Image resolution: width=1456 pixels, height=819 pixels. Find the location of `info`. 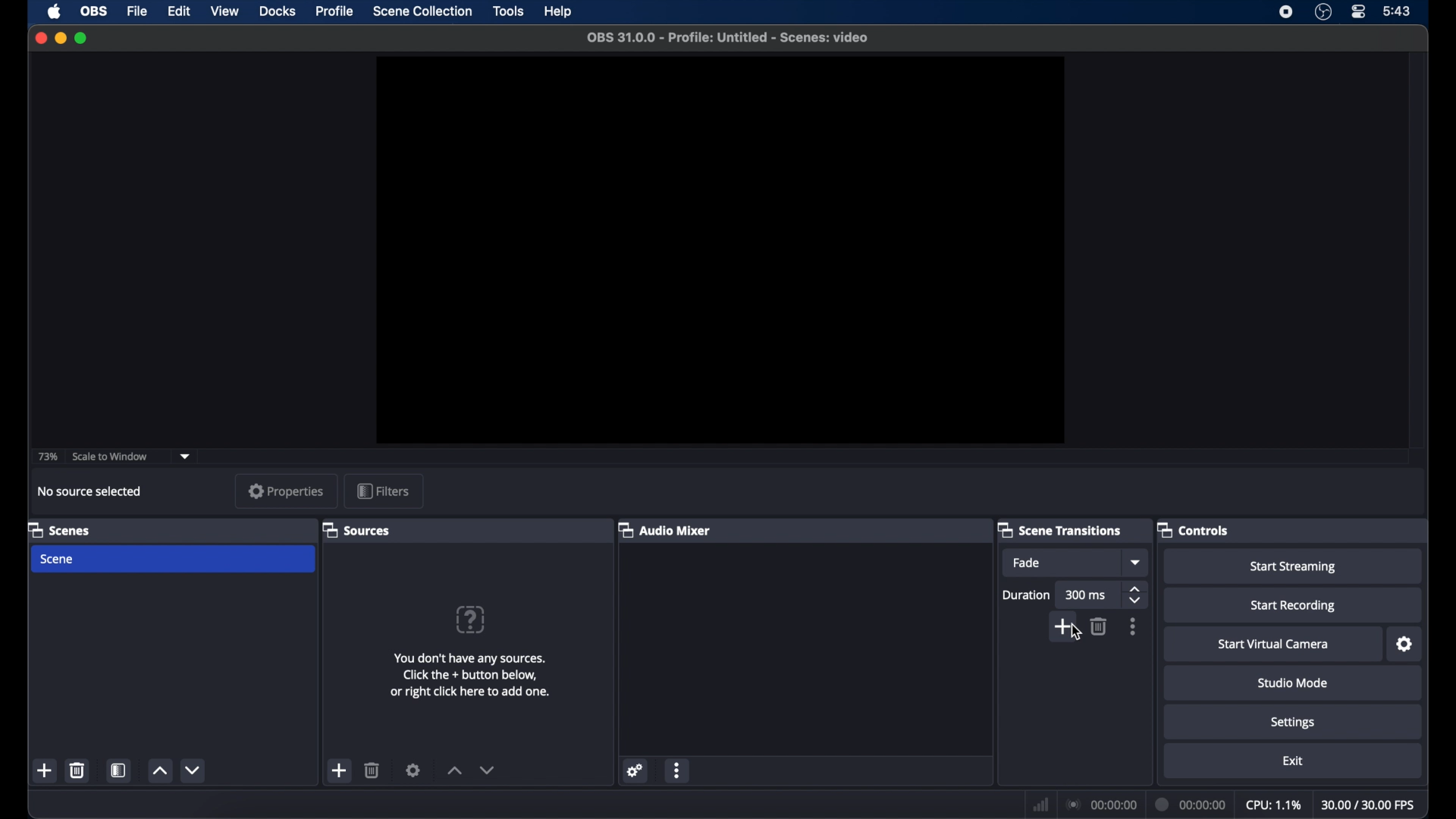

info is located at coordinates (472, 675).